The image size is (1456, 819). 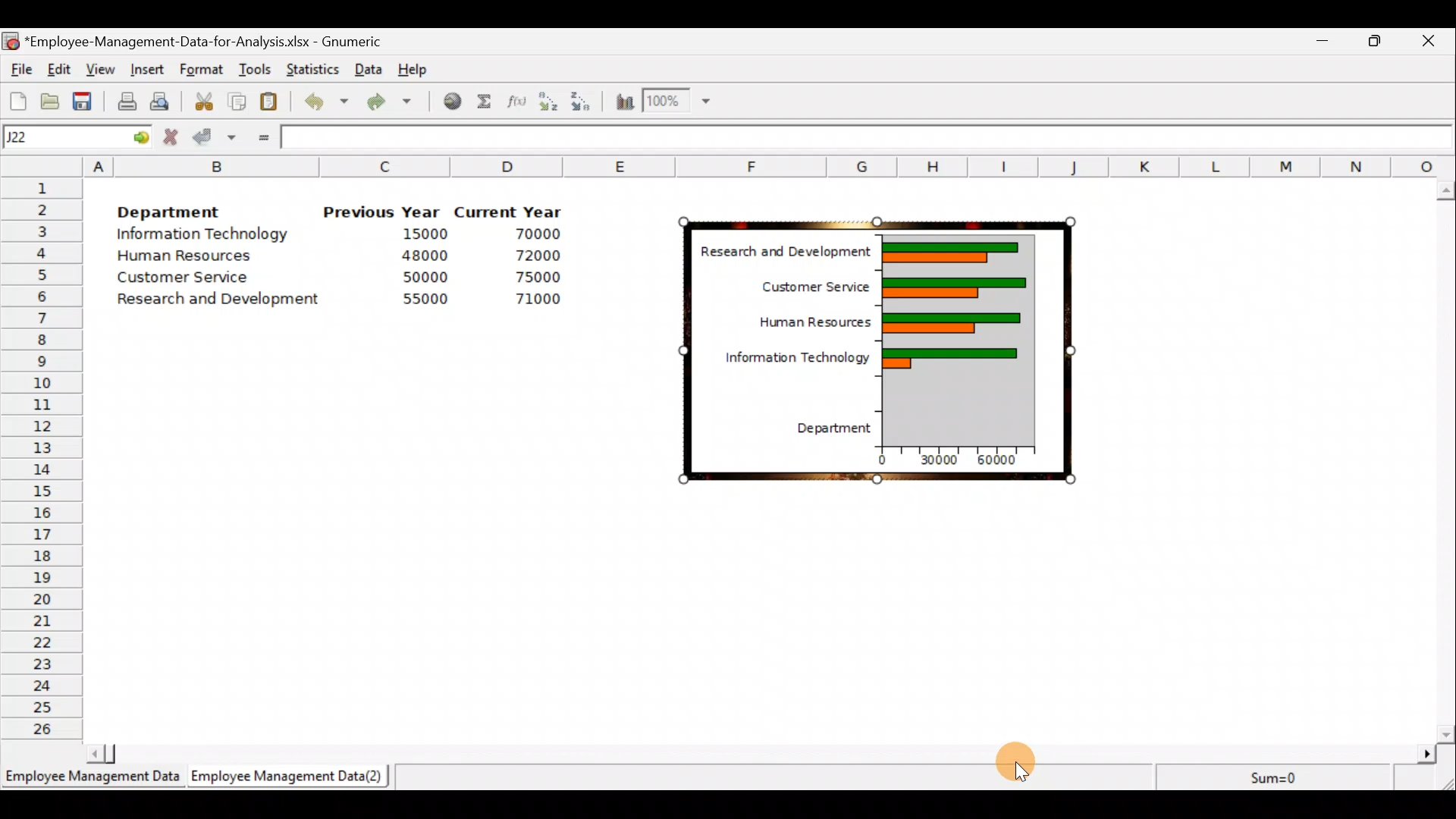 What do you see at coordinates (675, 102) in the screenshot?
I see `Zoom` at bounding box center [675, 102].